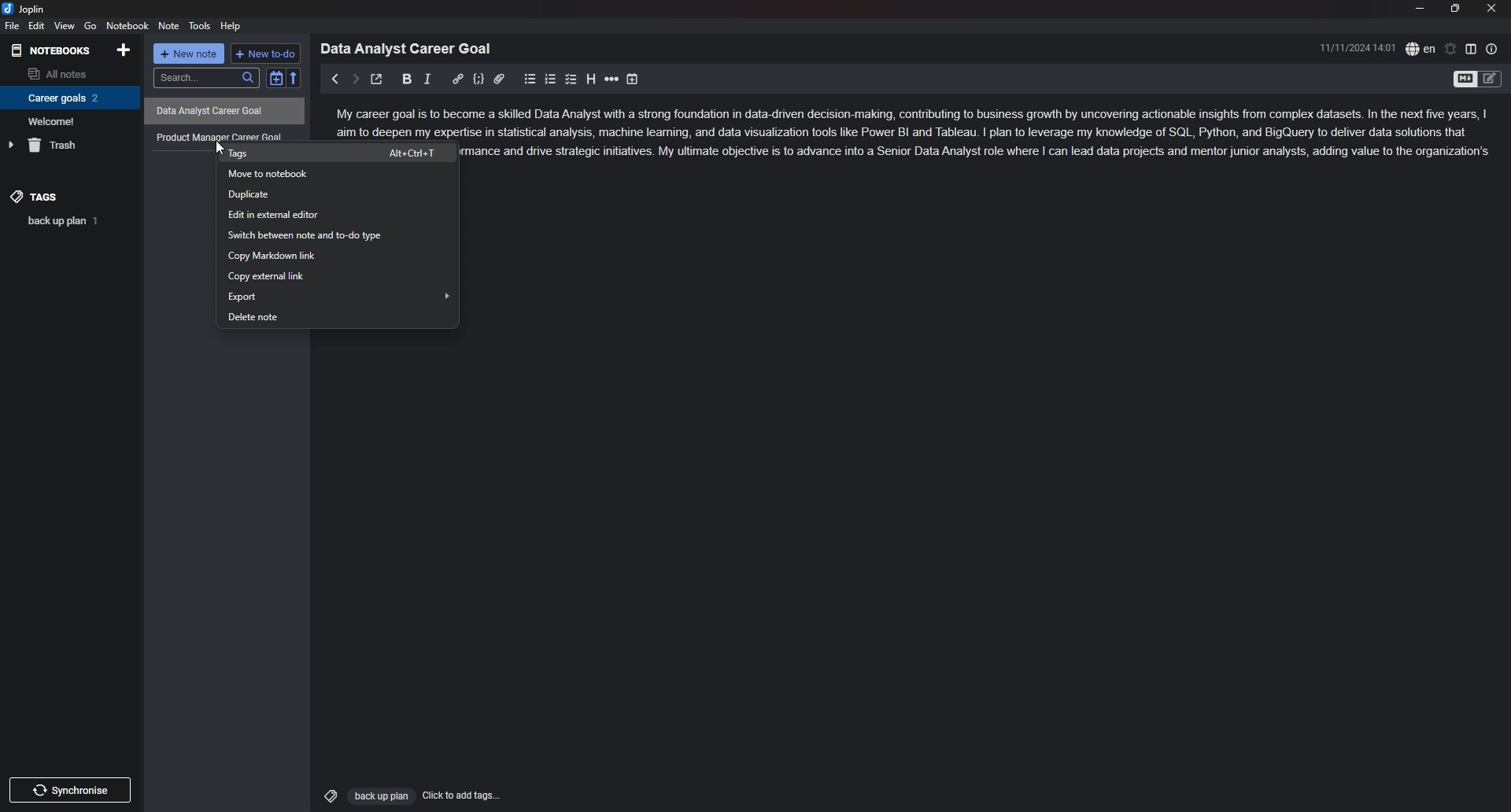 The height and width of the screenshot is (812, 1511). I want to click on set alarm, so click(1451, 49).